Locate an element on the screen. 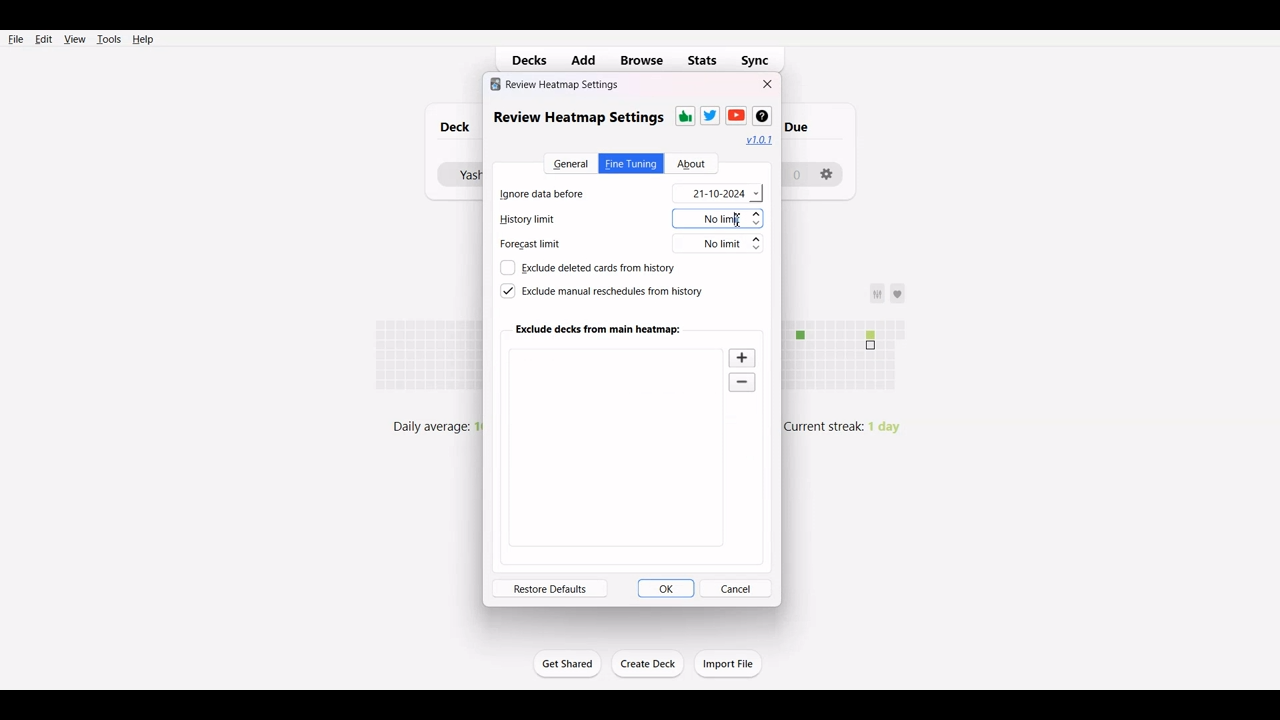 The height and width of the screenshot is (720, 1280). OK is located at coordinates (666, 588).